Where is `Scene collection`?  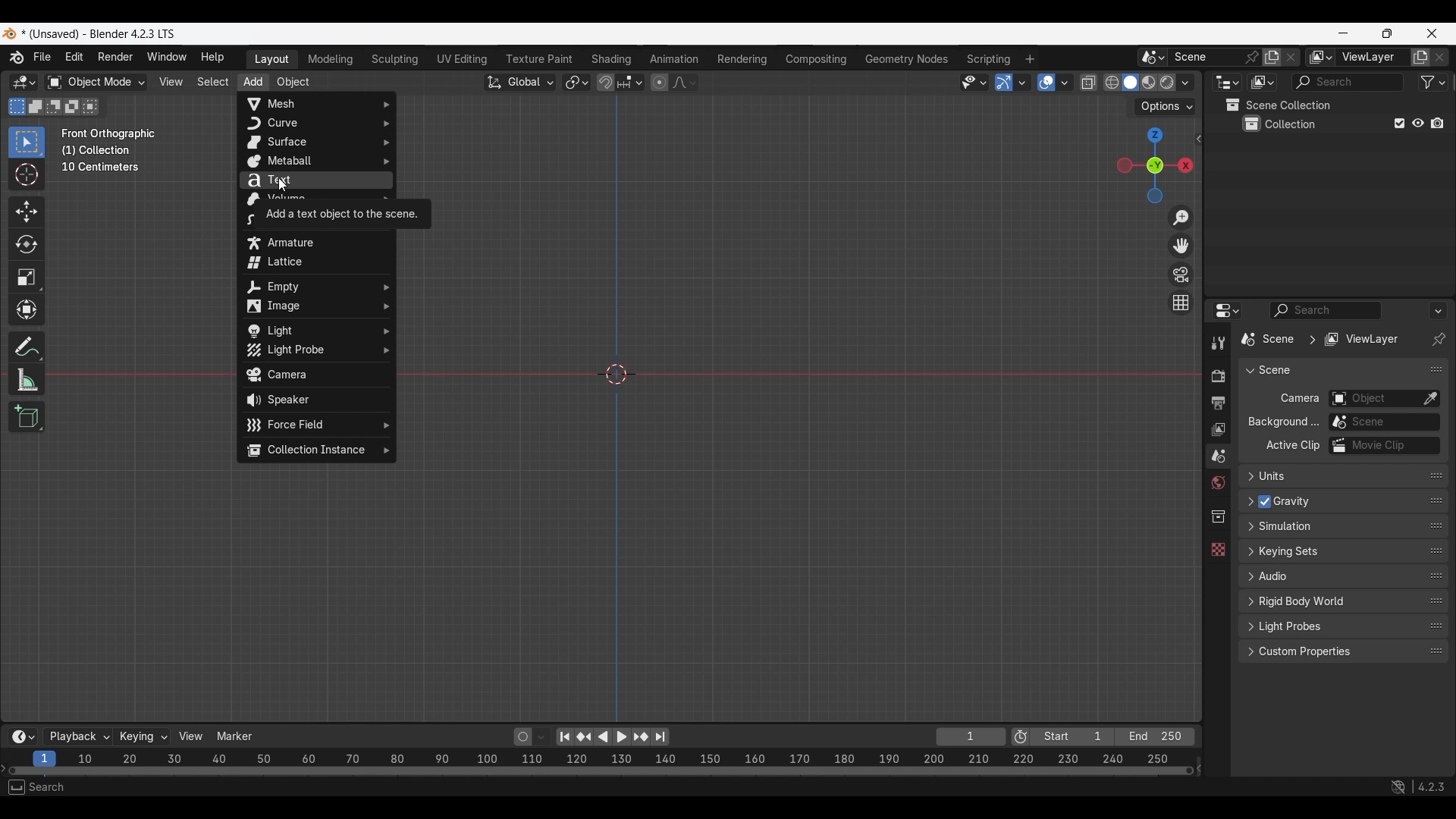 Scene collection is located at coordinates (1278, 105).